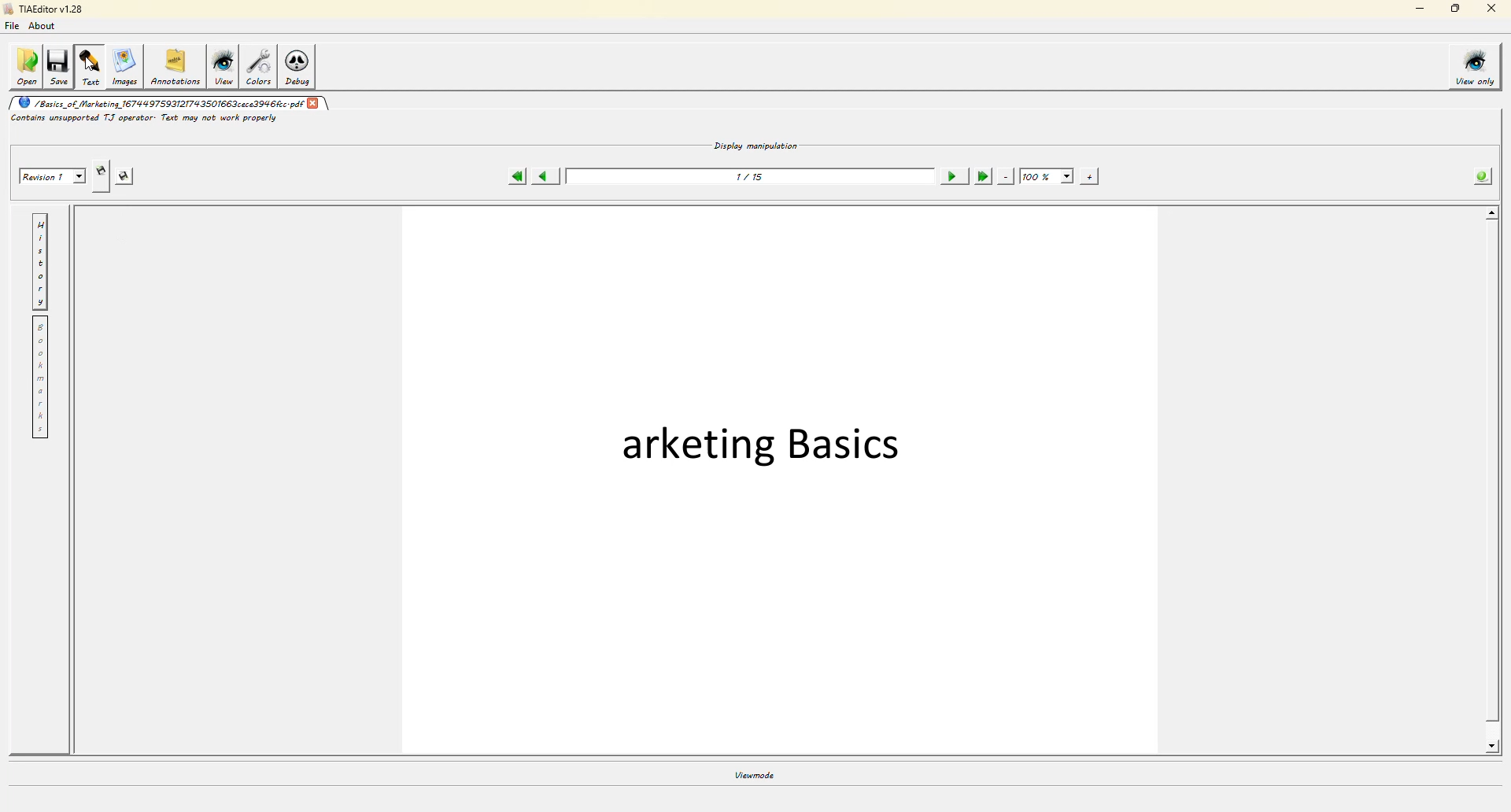 The height and width of the screenshot is (812, 1511). What do you see at coordinates (982, 177) in the screenshot?
I see `last page` at bounding box center [982, 177].